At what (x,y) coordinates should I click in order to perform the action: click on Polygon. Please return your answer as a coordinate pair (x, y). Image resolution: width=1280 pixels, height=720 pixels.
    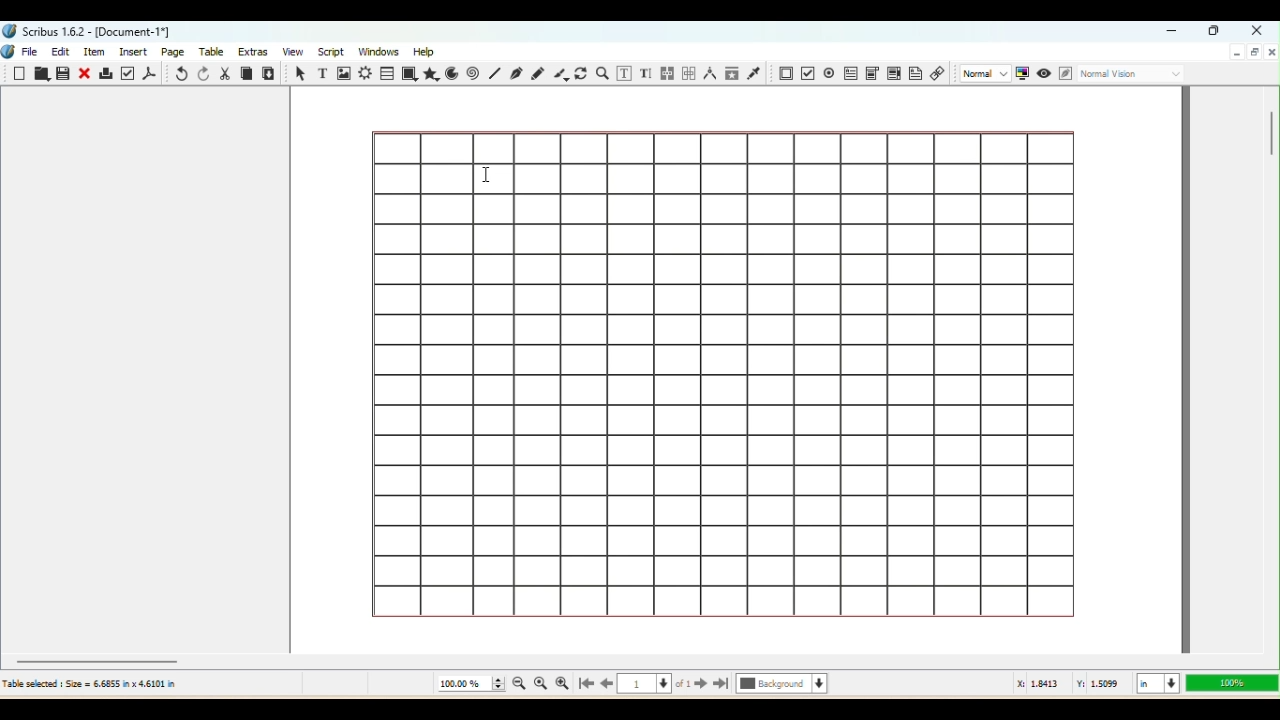
    Looking at the image, I should click on (432, 75).